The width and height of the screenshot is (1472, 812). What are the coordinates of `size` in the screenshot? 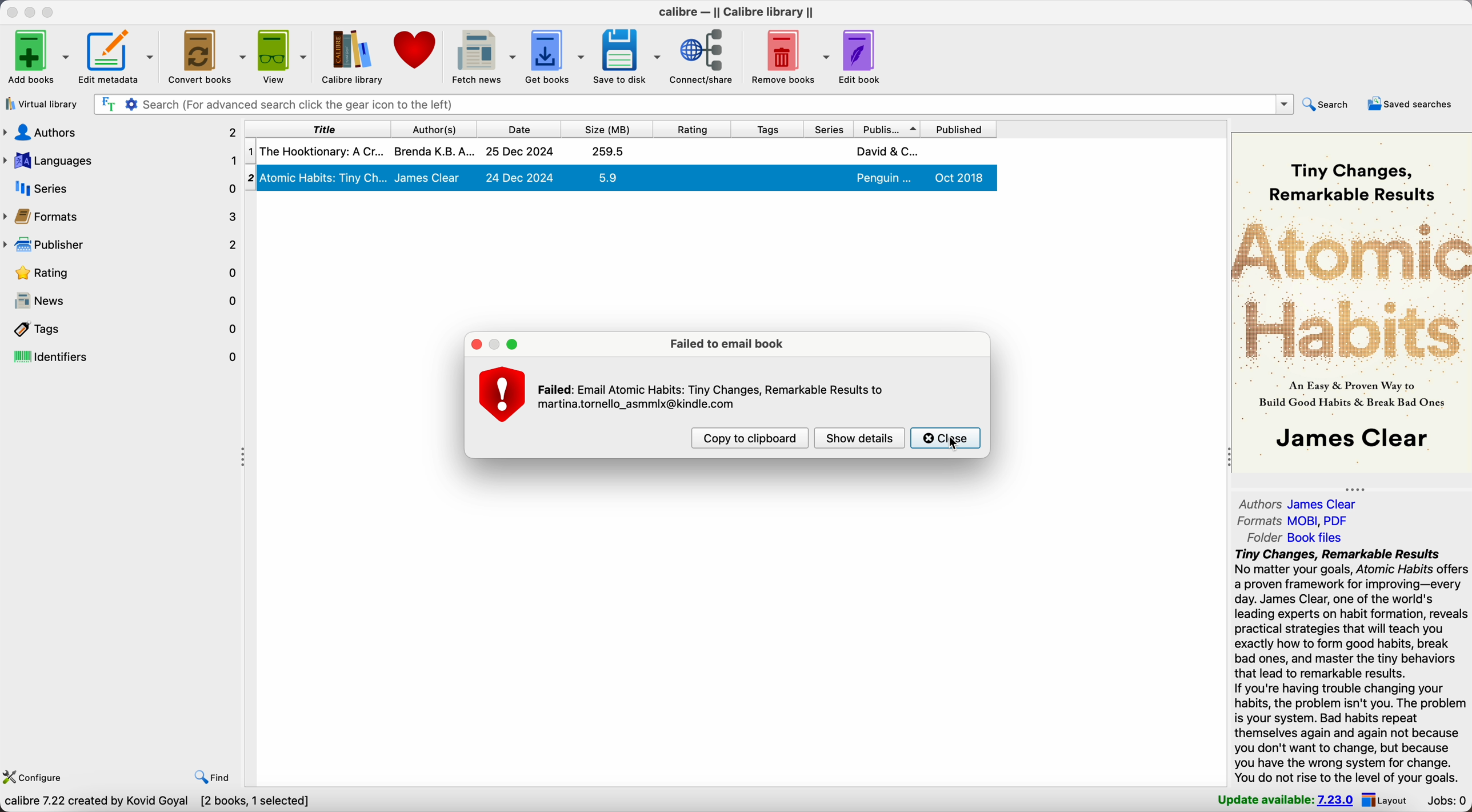 It's located at (606, 127).